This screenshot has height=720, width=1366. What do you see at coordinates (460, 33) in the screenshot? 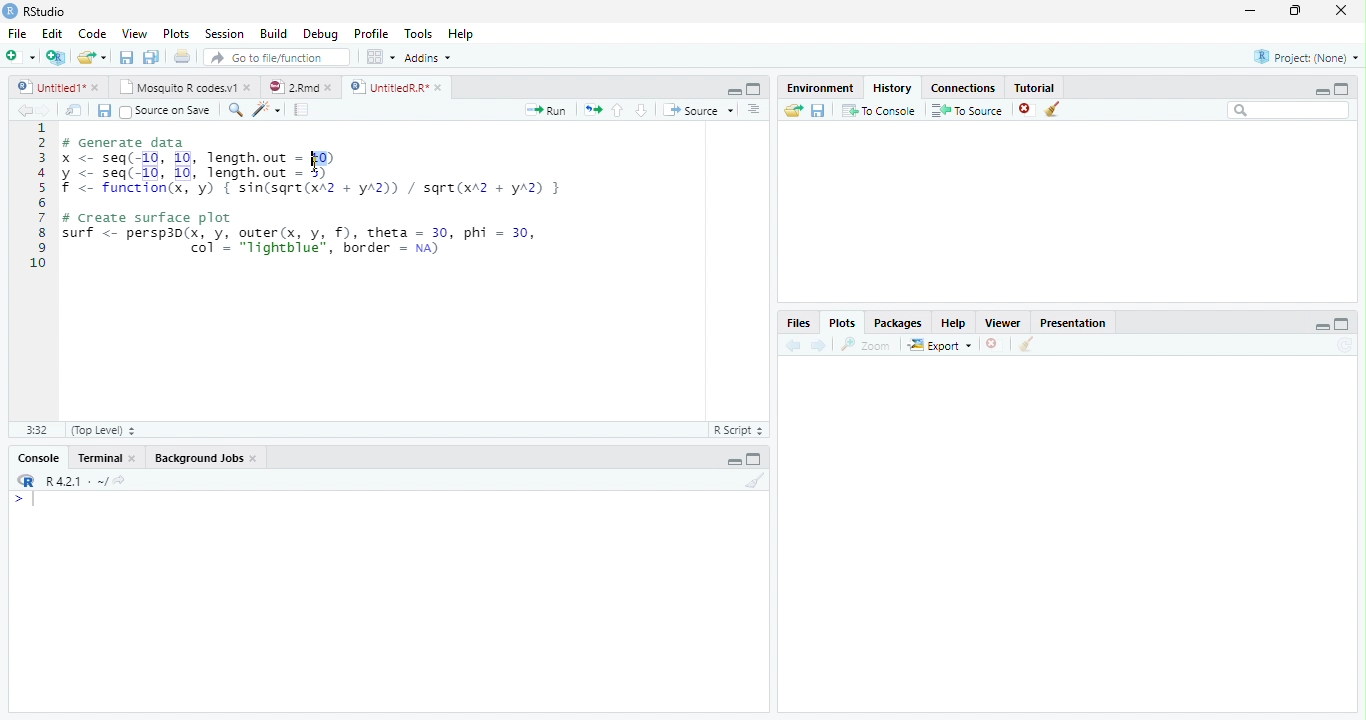
I see `Help` at bounding box center [460, 33].